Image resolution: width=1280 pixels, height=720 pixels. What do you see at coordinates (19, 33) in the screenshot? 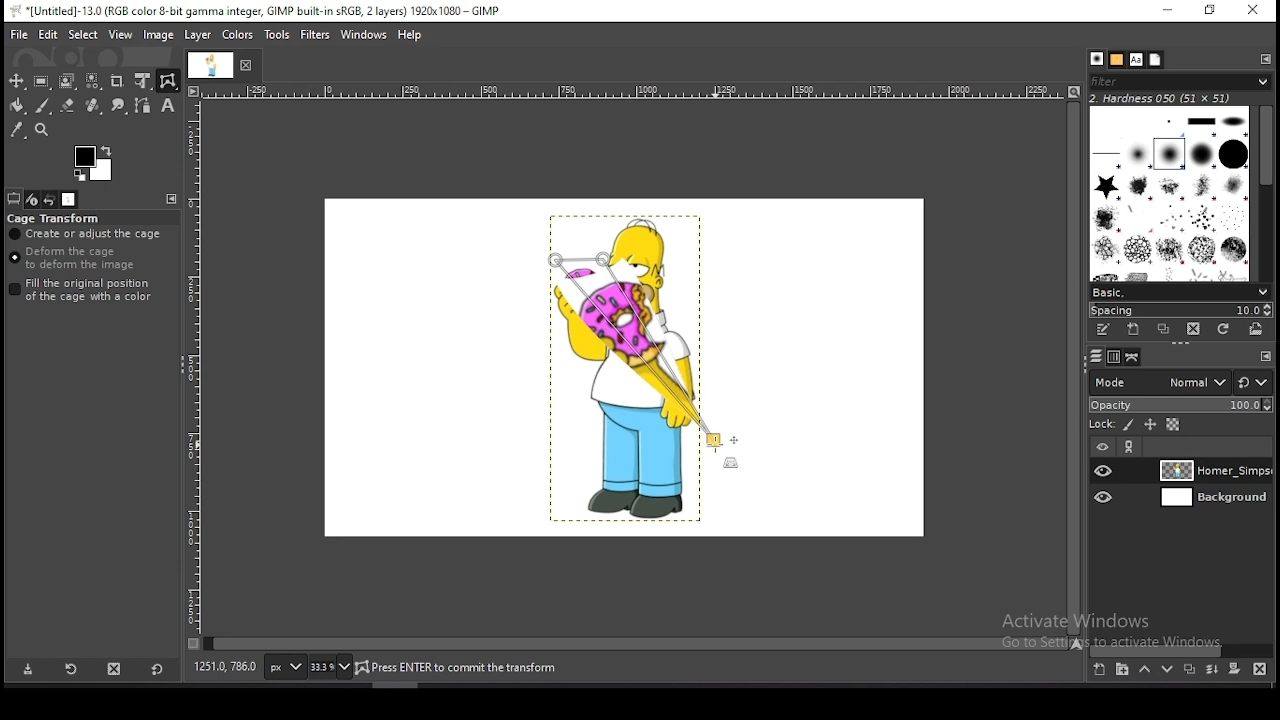
I see `file` at bounding box center [19, 33].